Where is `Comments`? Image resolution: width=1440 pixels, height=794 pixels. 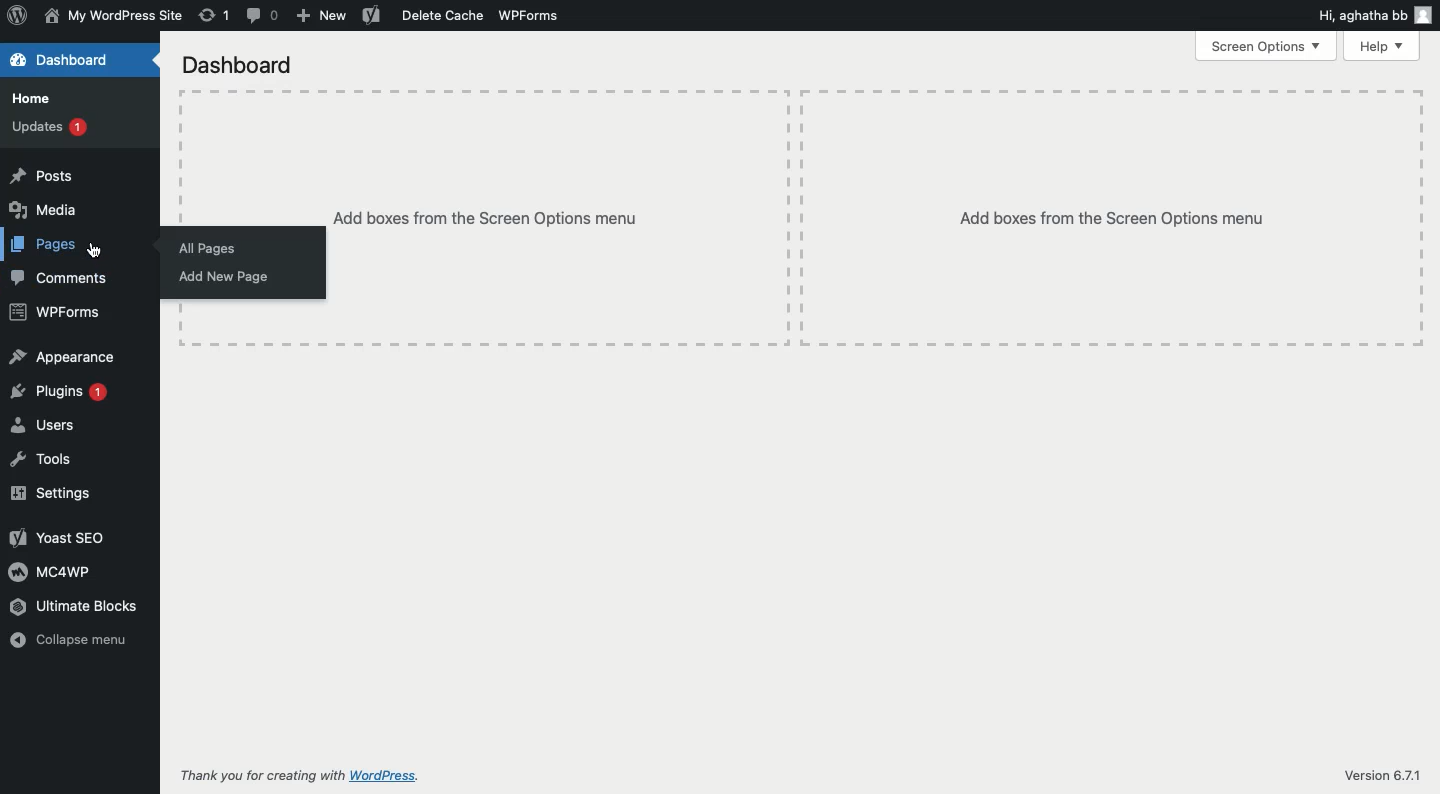 Comments is located at coordinates (61, 279).